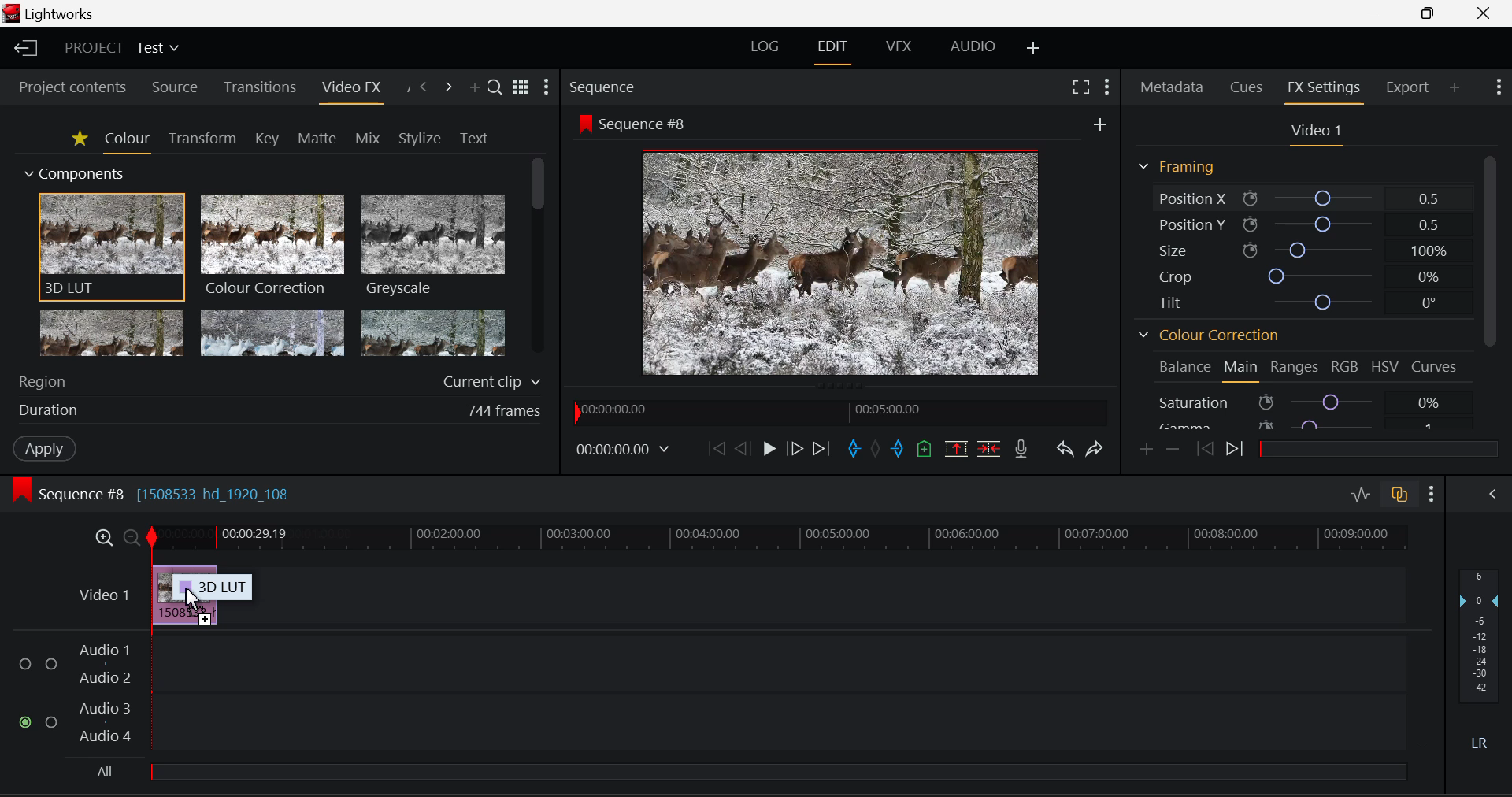 This screenshot has height=797, width=1512. What do you see at coordinates (1483, 662) in the screenshot?
I see `Decibel Level` at bounding box center [1483, 662].